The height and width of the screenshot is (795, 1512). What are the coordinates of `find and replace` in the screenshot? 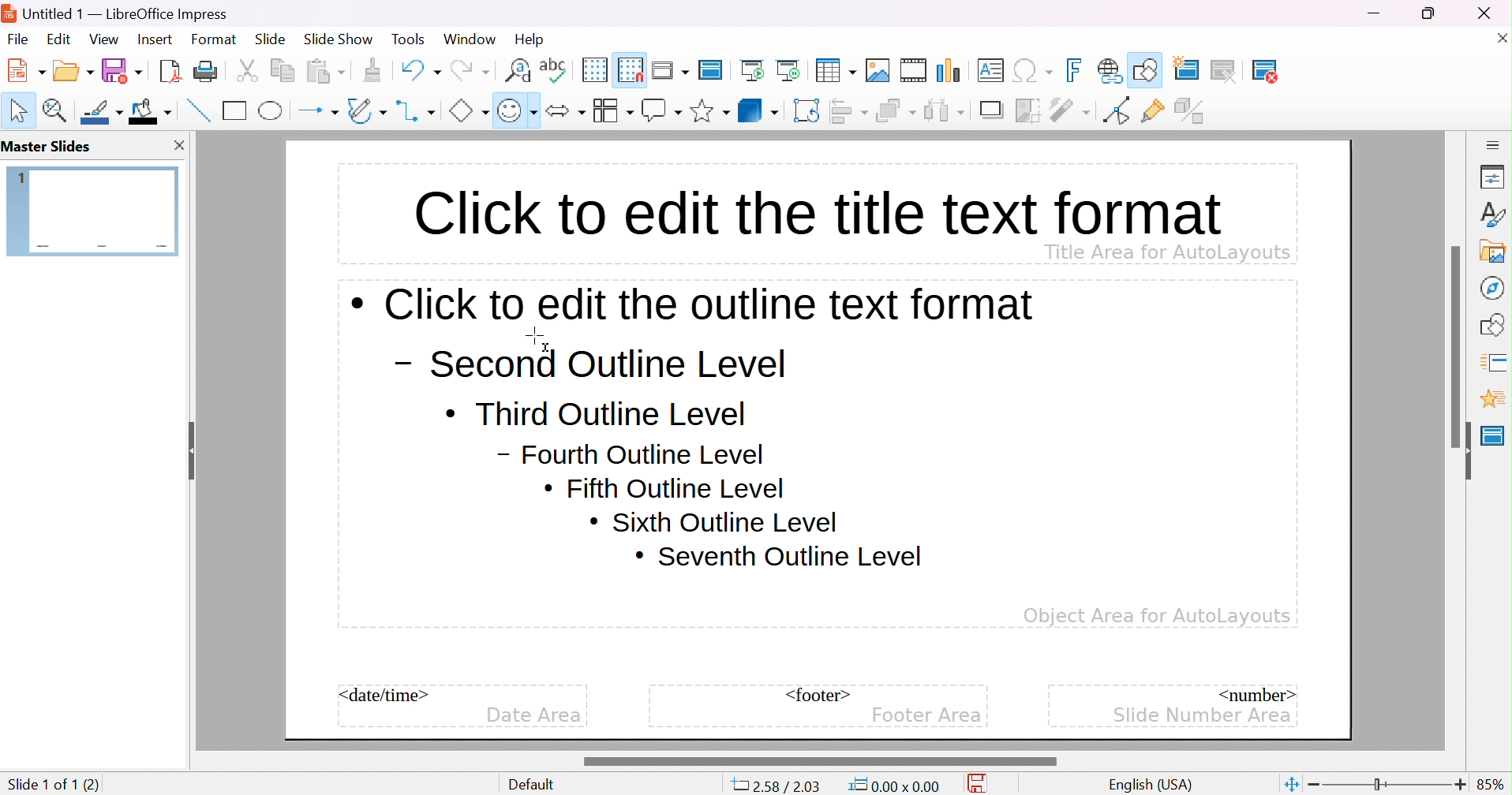 It's located at (518, 69).